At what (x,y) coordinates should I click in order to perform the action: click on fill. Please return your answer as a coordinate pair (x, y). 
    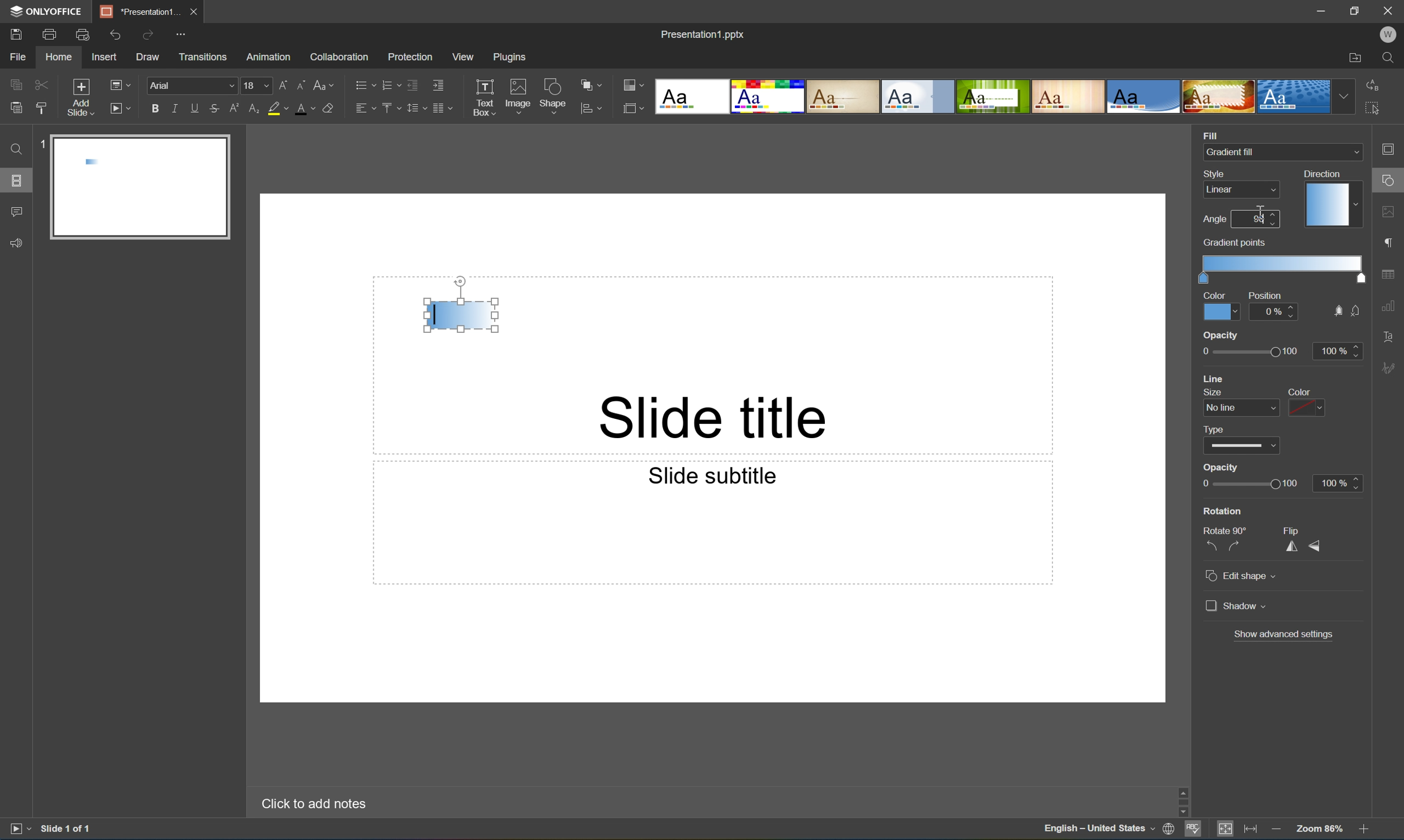
    Looking at the image, I should click on (1336, 311).